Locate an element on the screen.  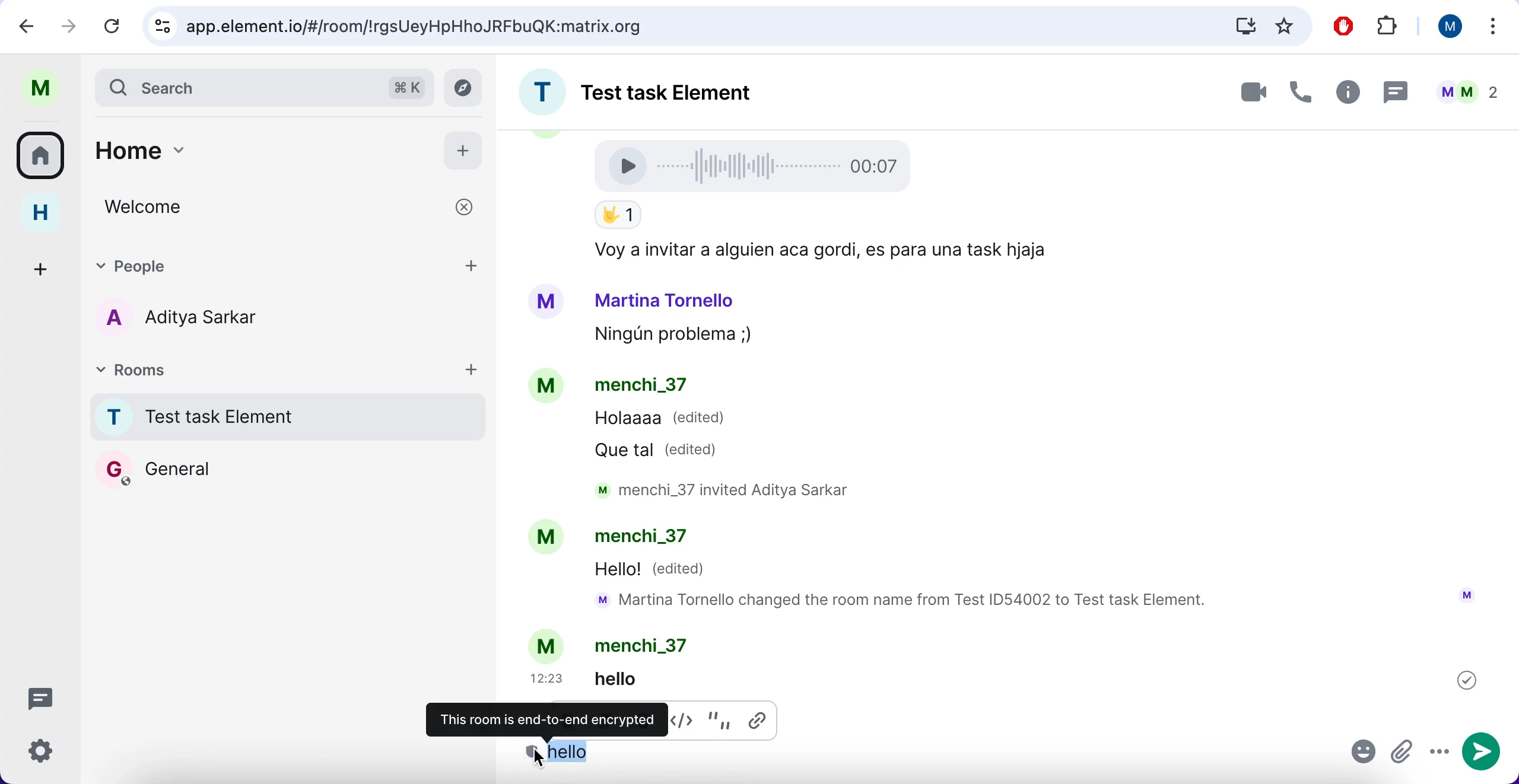
Avatar is located at coordinates (548, 388).